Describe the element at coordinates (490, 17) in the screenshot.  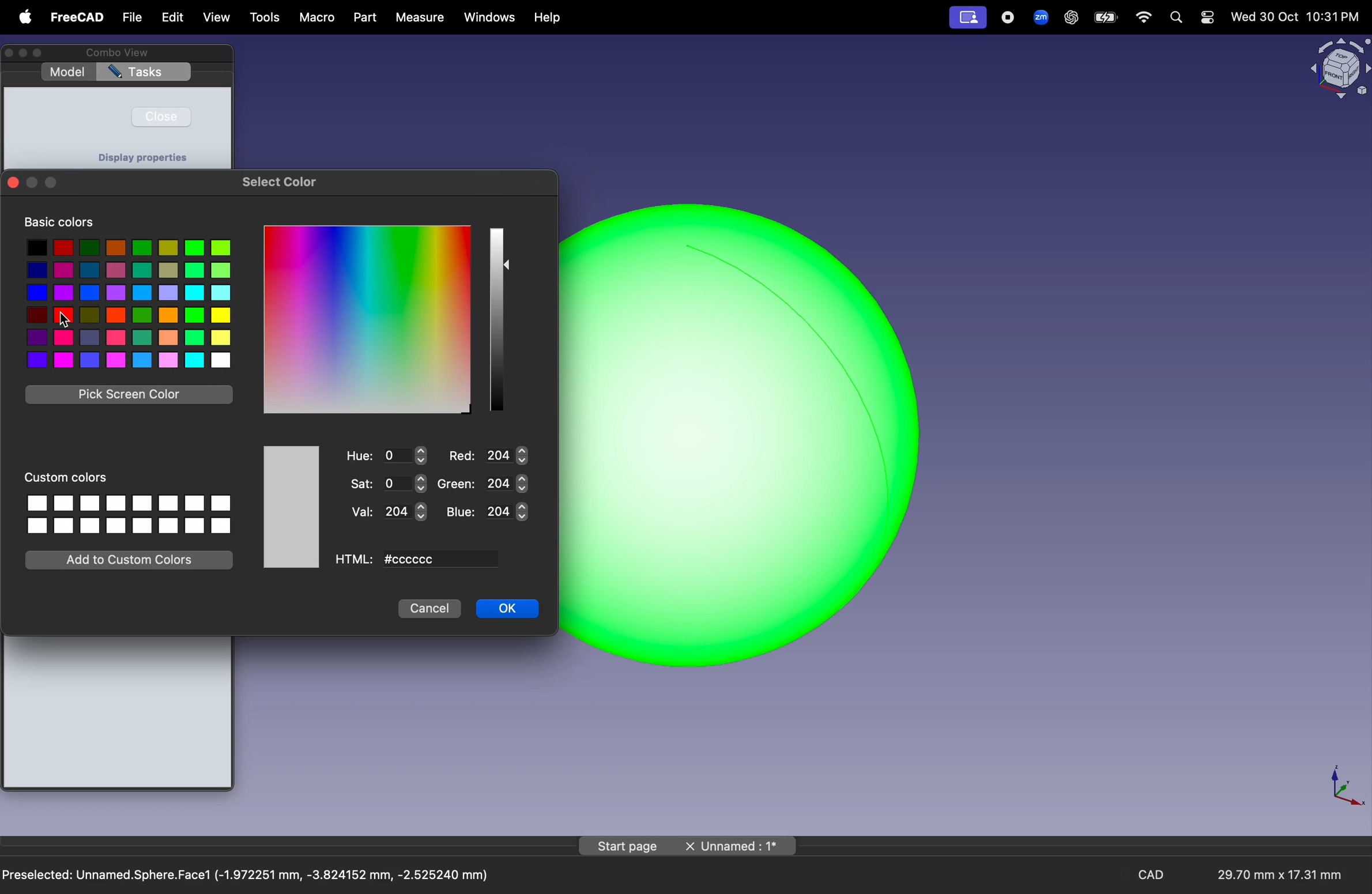
I see `windows` at that location.